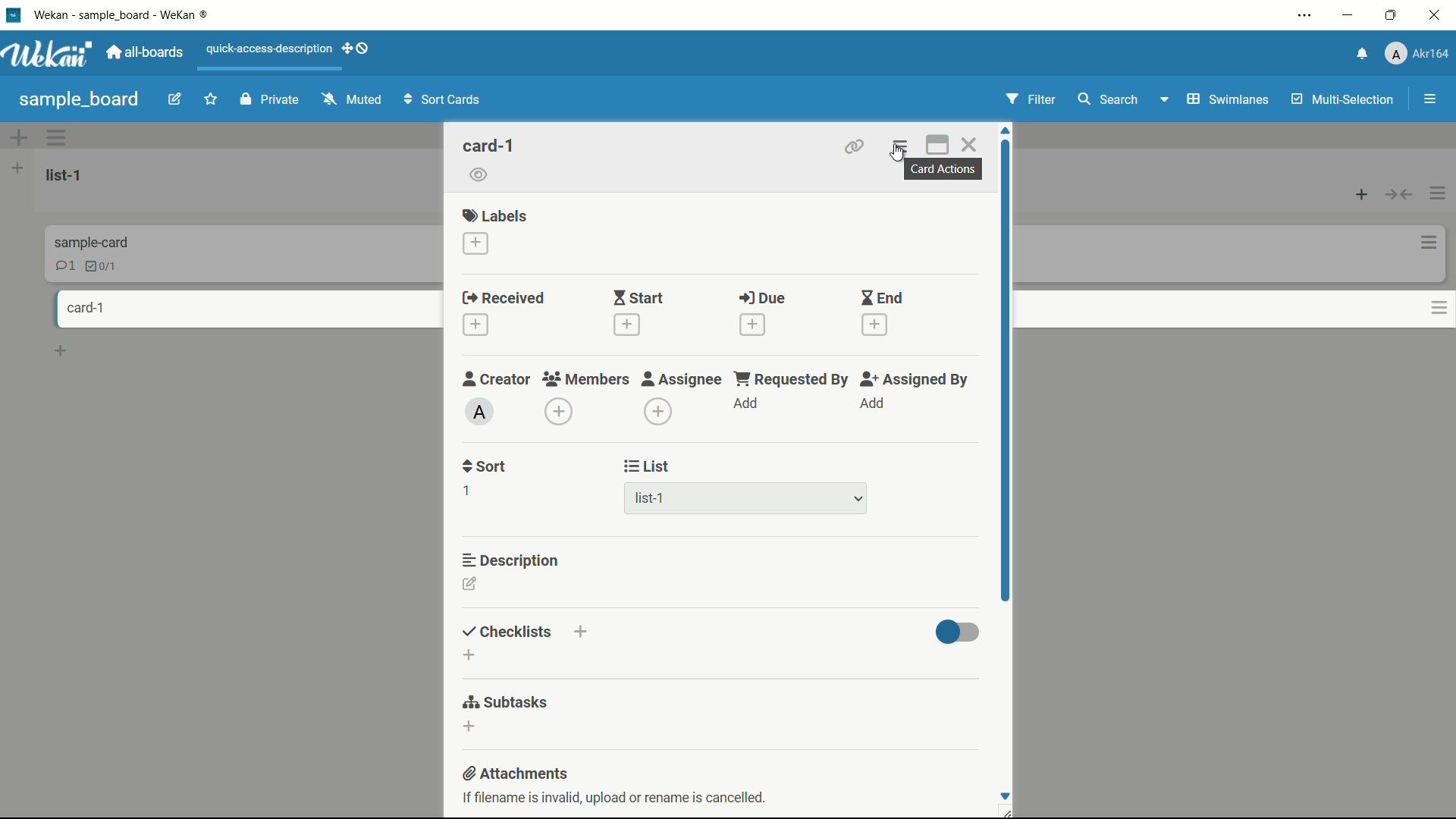  I want to click on edit, so click(174, 101).